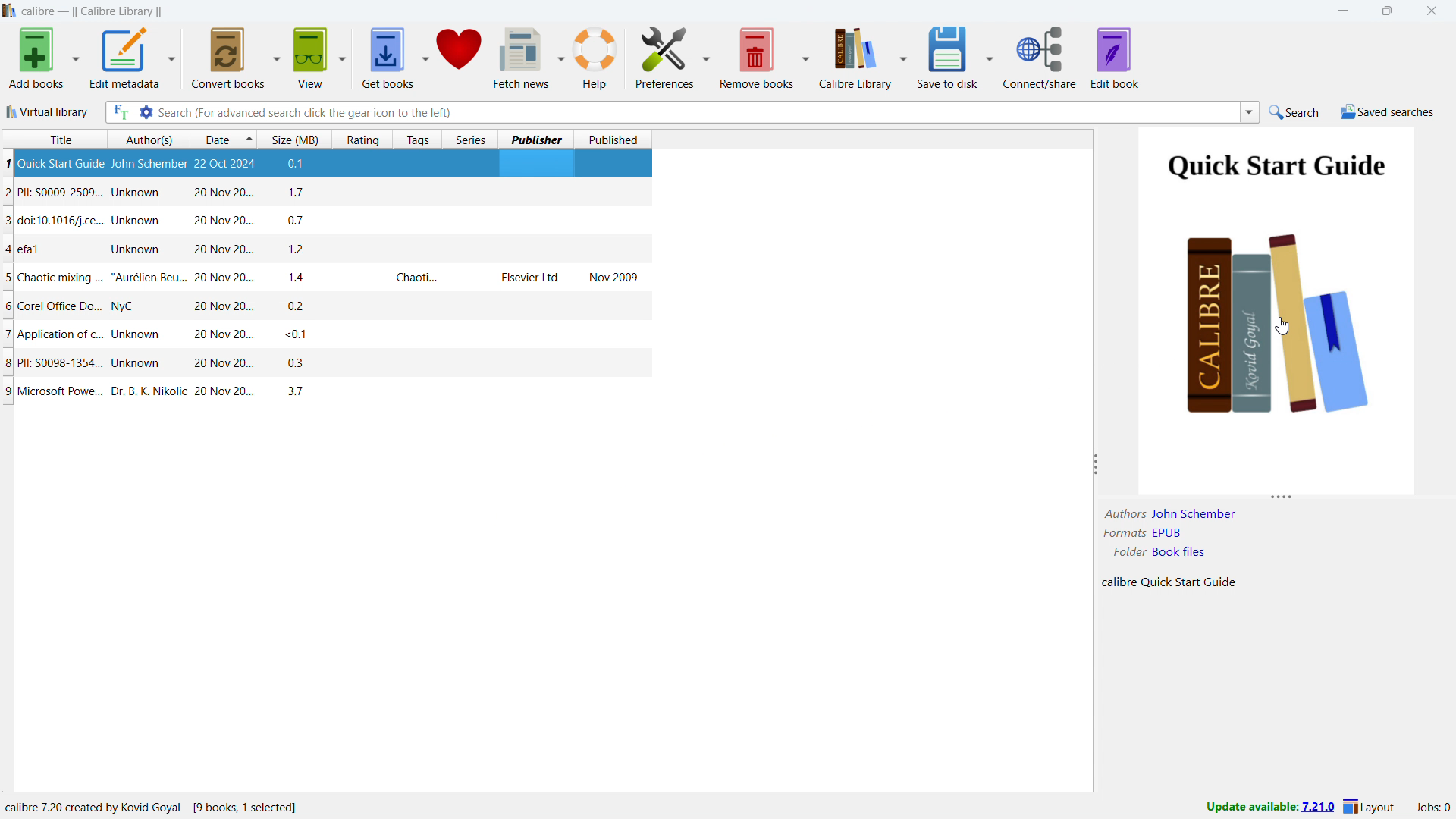 The width and height of the screenshot is (1456, 819). Describe the element at coordinates (388, 57) in the screenshot. I see `get books` at that location.